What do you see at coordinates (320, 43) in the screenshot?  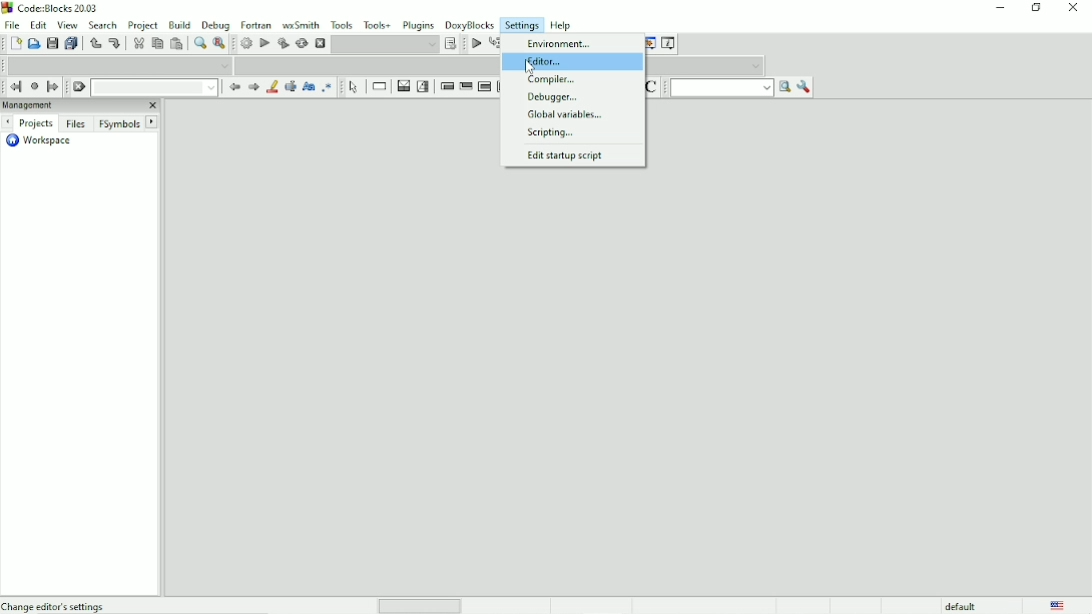 I see `Abort` at bounding box center [320, 43].